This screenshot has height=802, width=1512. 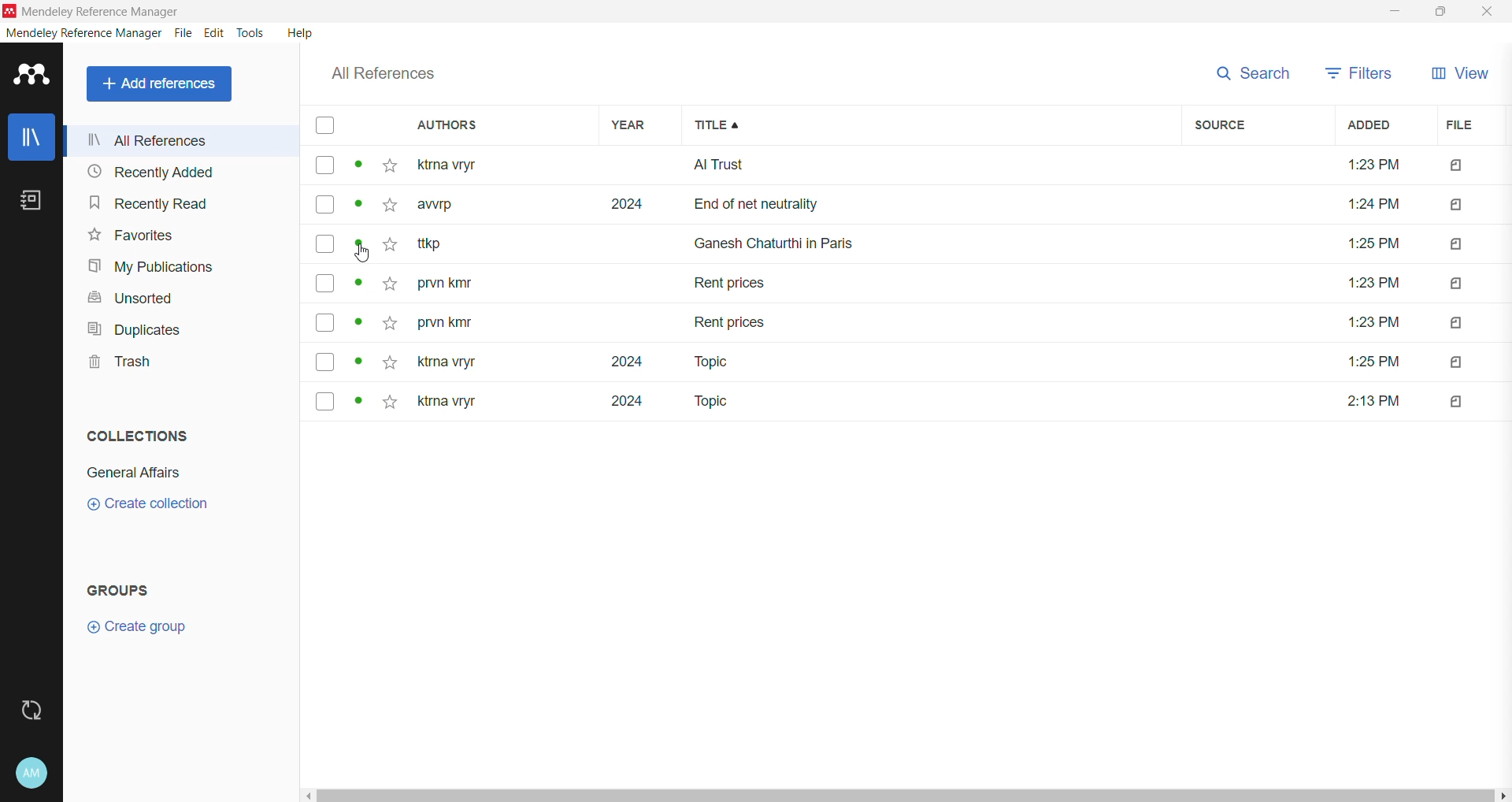 What do you see at coordinates (215, 34) in the screenshot?
I see `Edit` at bounding box center [215, 34].